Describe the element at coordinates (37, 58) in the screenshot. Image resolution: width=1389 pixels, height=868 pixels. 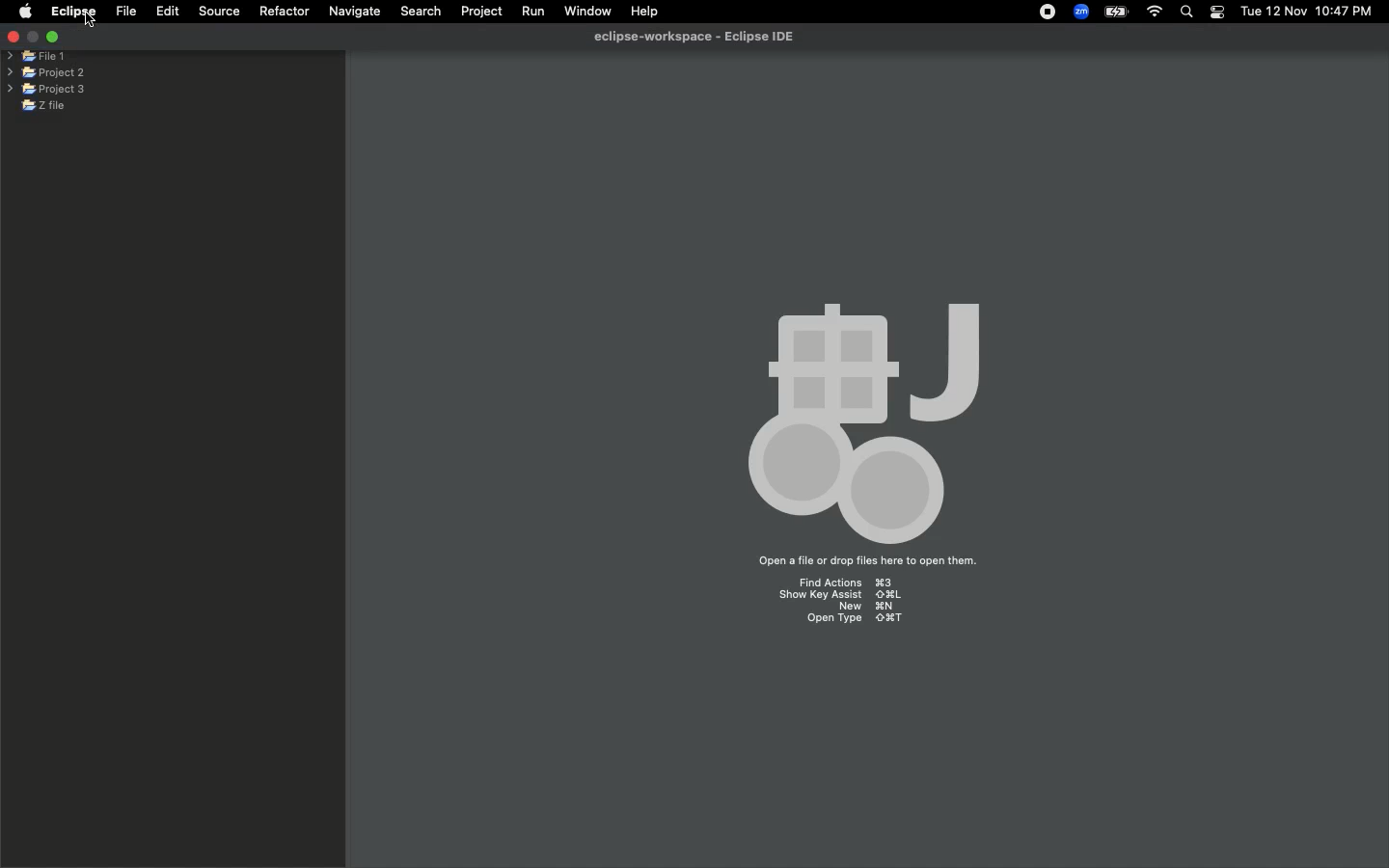
I see `File 1` at that location.